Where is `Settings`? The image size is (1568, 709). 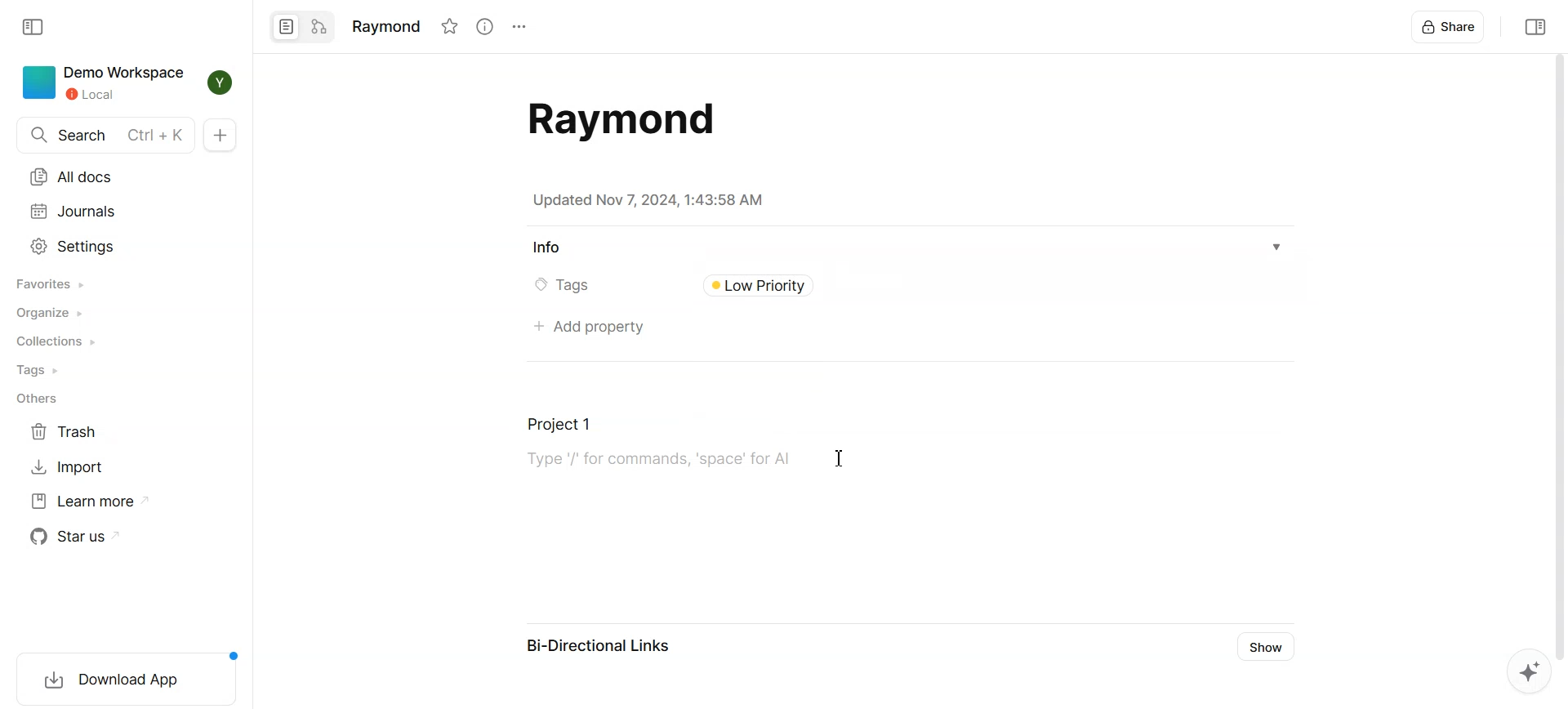
Settings is located at coordinates (518, 27).